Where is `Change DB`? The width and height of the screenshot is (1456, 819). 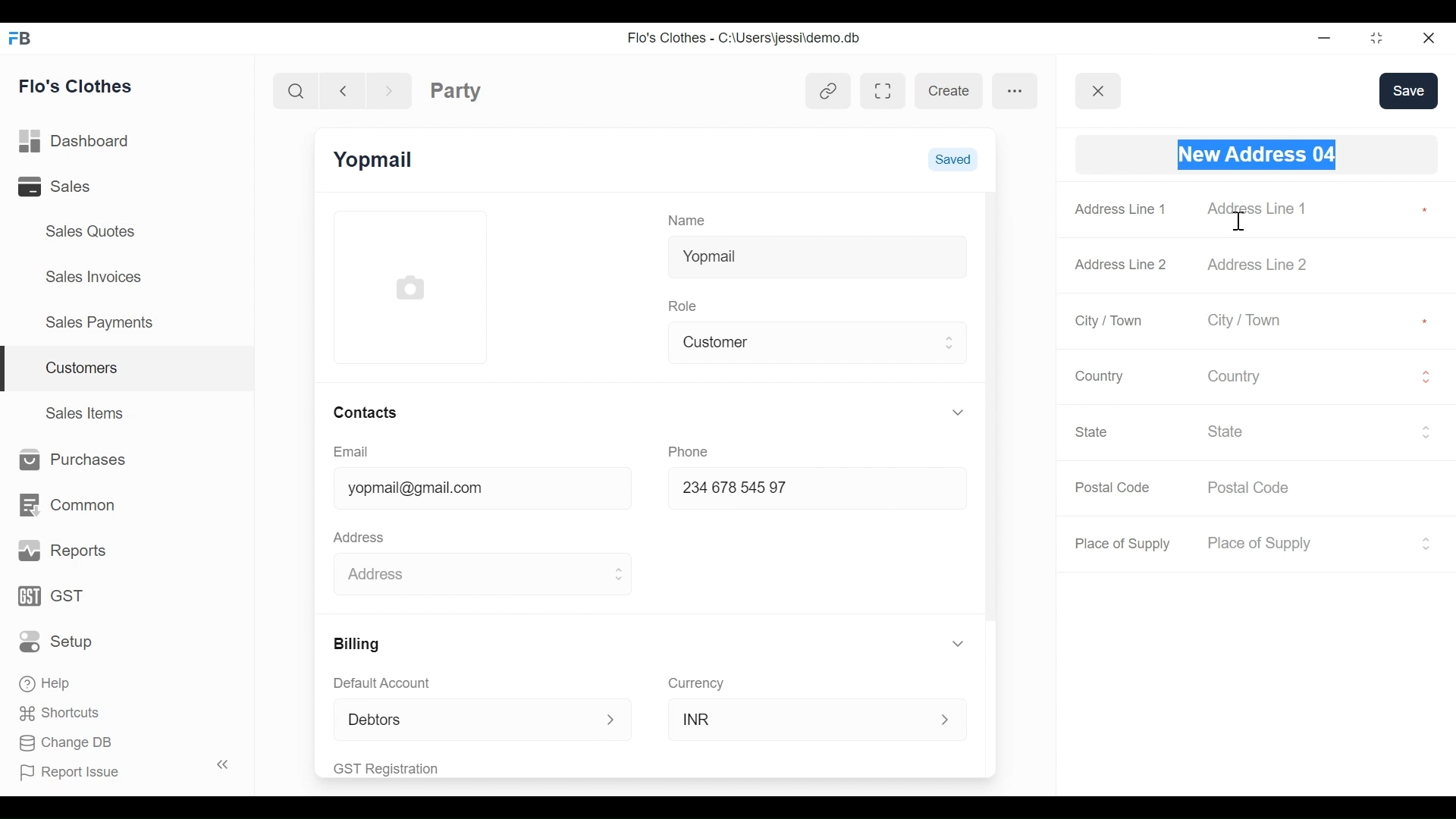 Change DB is located at coordinates (67, 745).